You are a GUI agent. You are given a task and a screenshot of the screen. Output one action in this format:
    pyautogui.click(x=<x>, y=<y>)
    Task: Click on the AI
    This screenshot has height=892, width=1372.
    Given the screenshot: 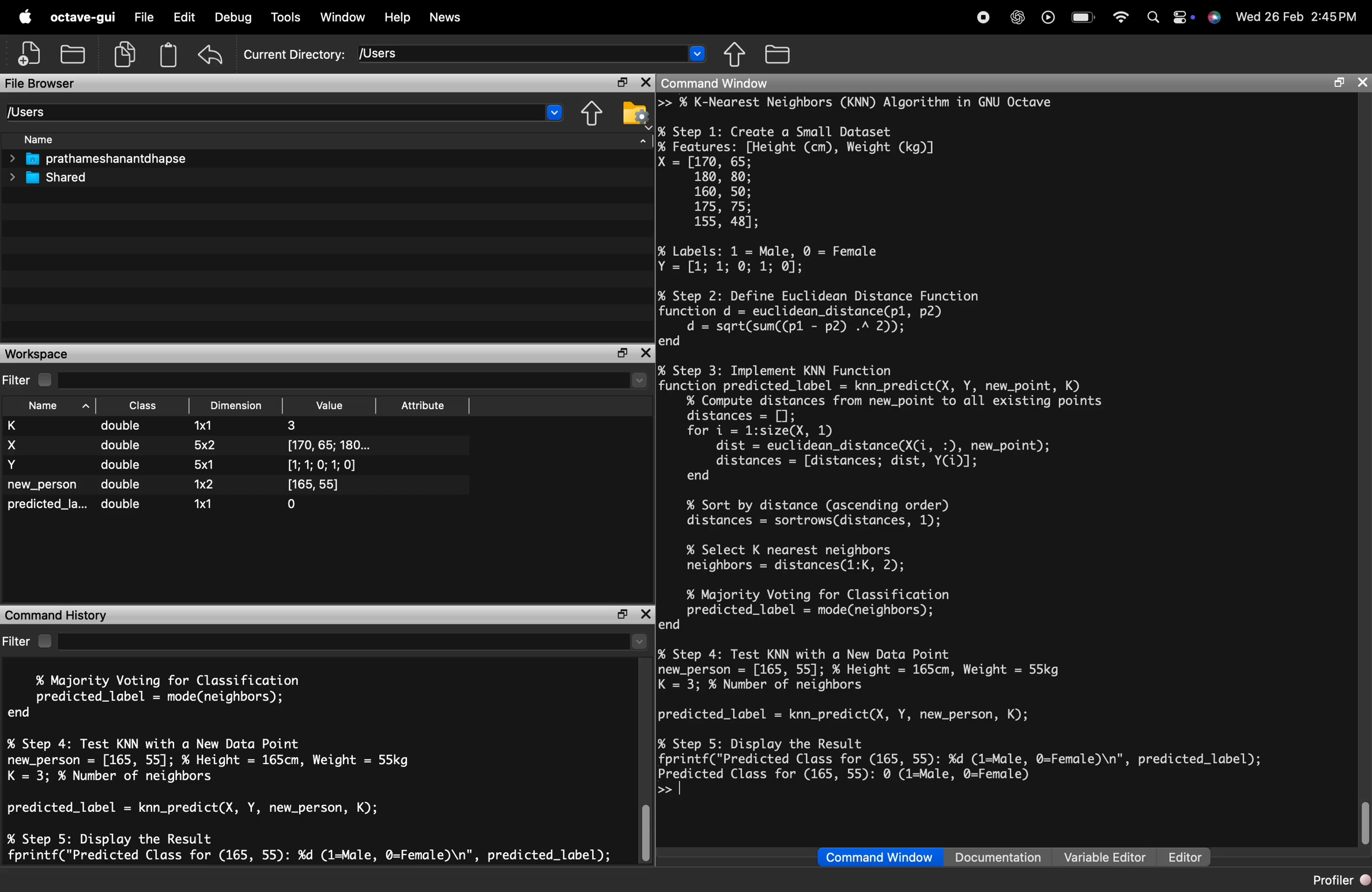 What is the action you would take?
    pyautogui.click(x=1016, y=14)
    